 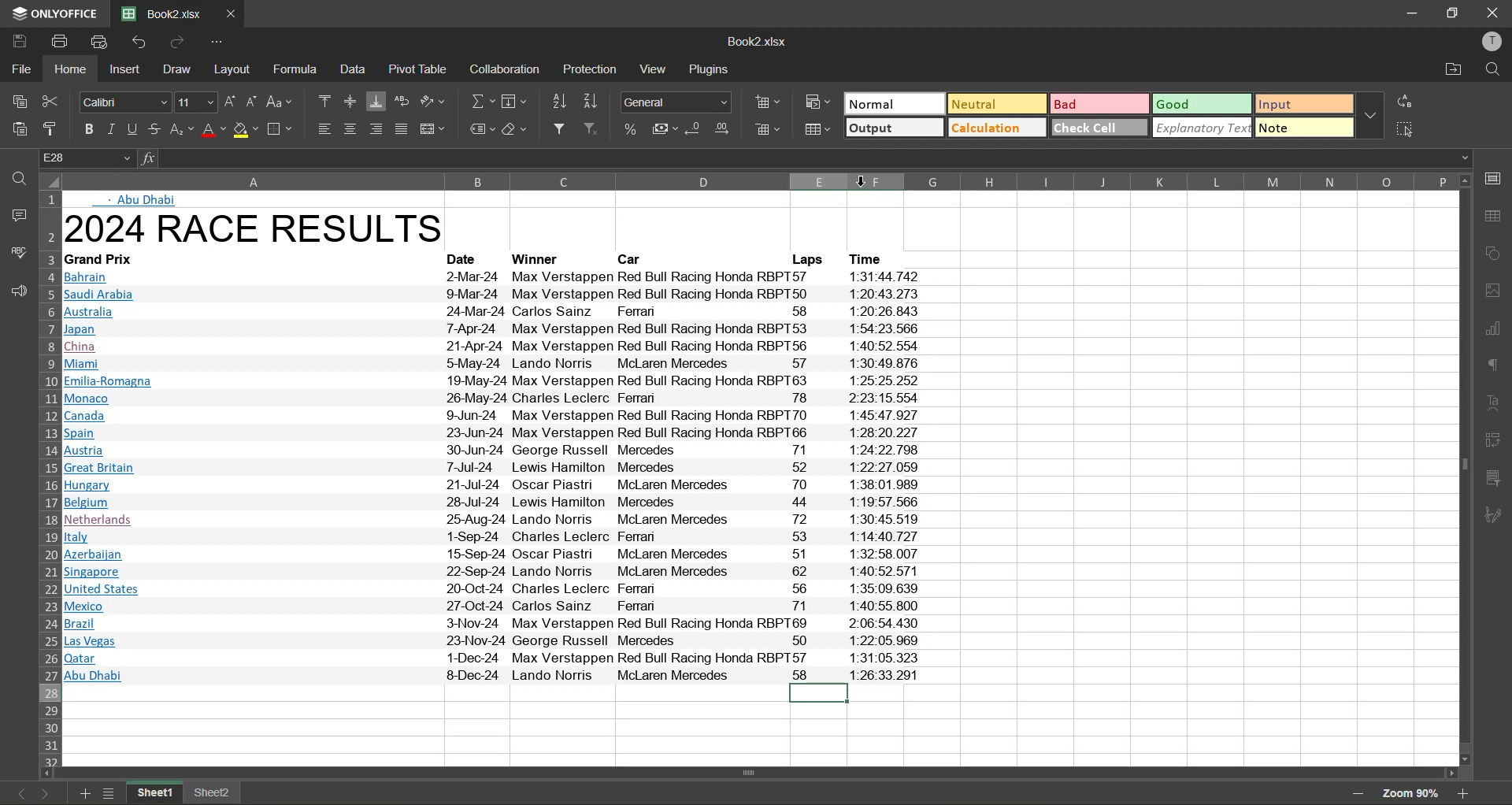 What do you see at coordinates (147, 157) in the screenshot?
I see `formula input` at bounding box center [147, 157].